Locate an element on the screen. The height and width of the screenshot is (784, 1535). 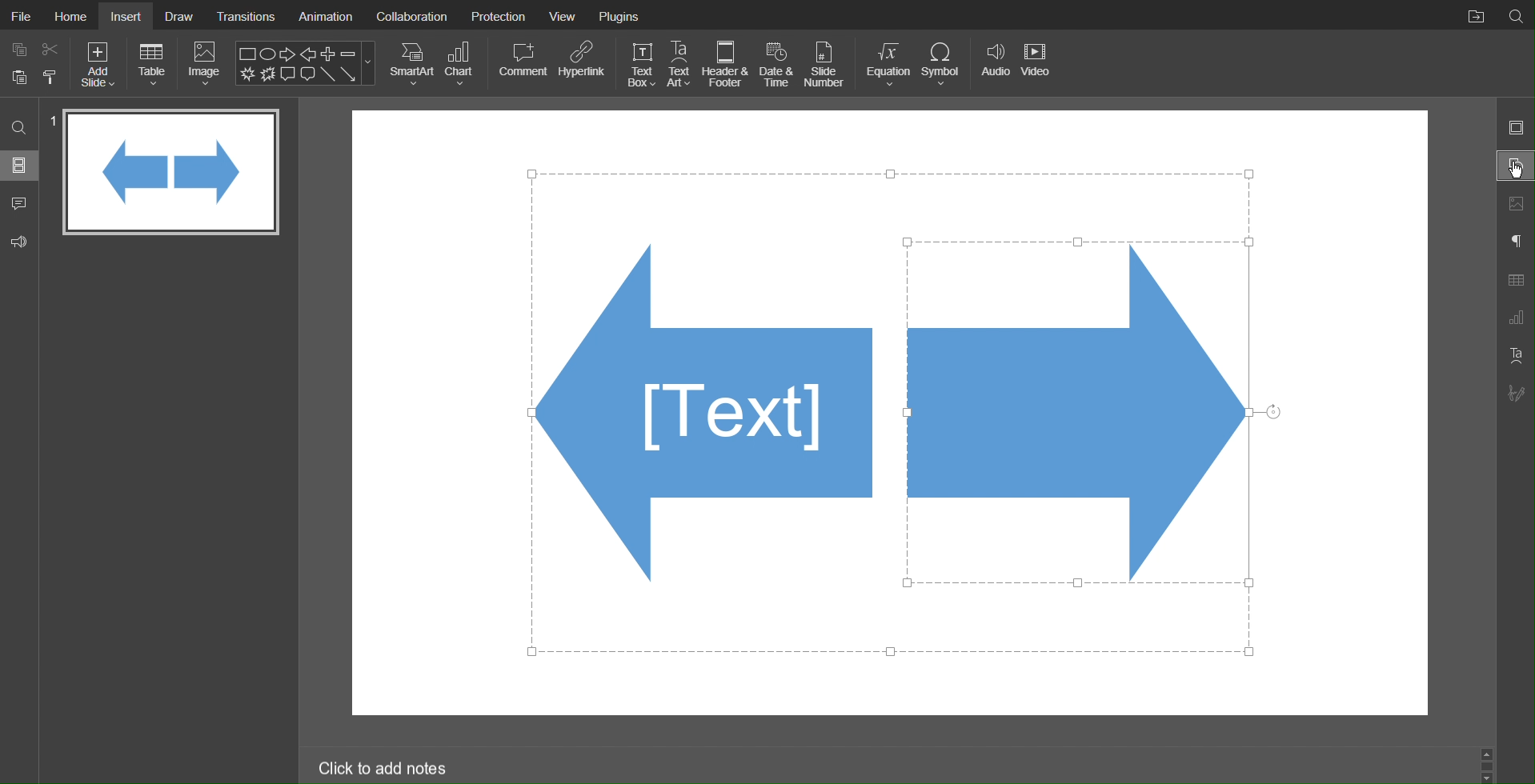
Open File Location is located at coordinates (1472, 14).